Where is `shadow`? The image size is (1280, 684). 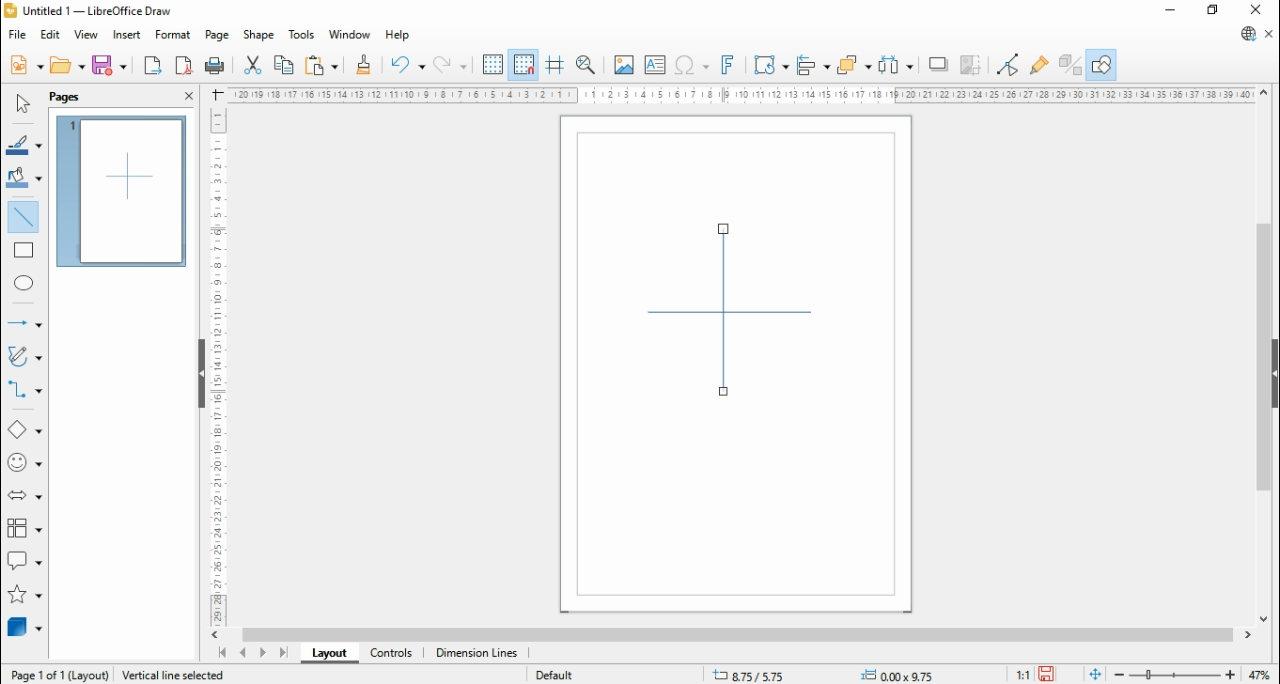
shadow is located at coordinates (940, 64).